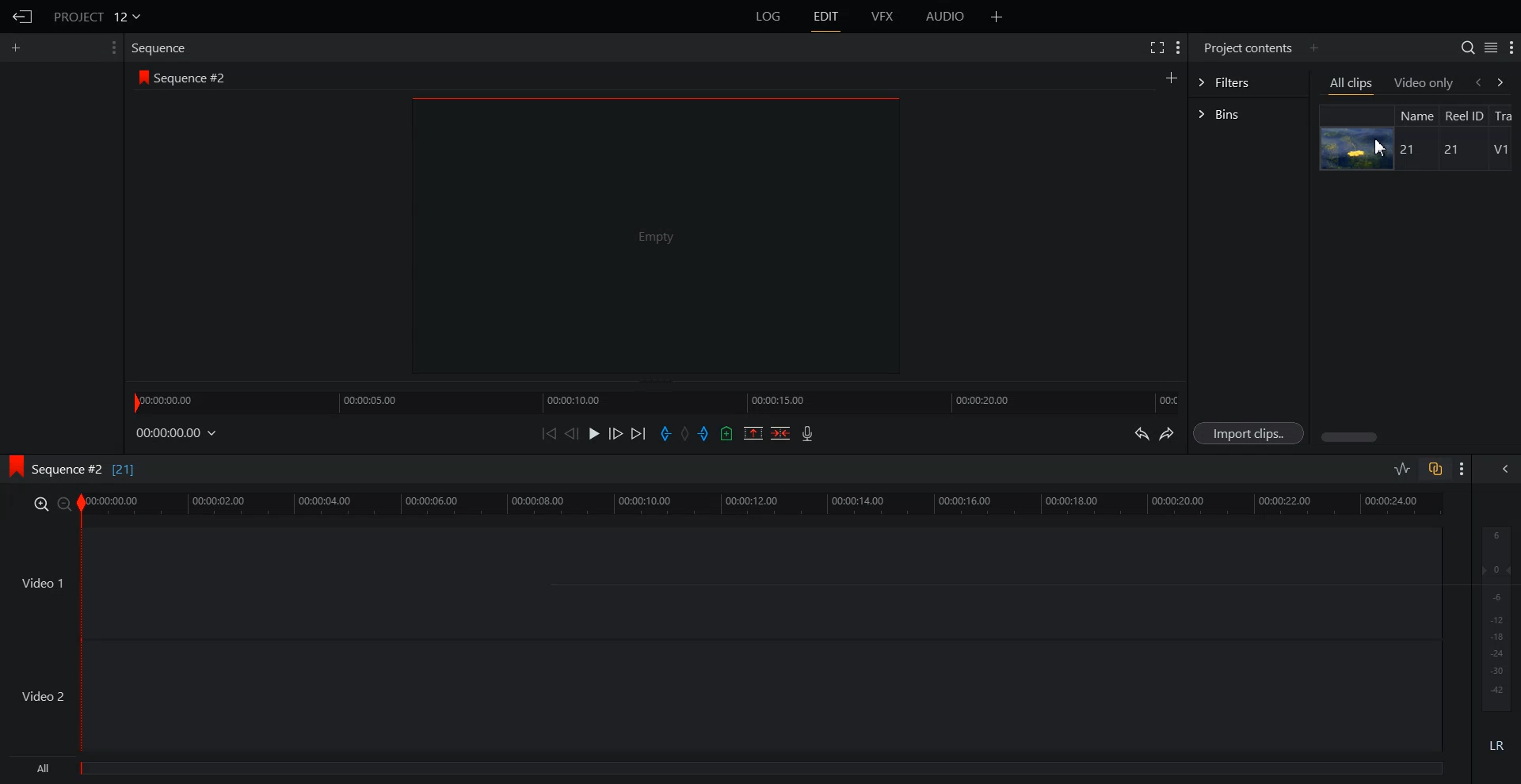 The width and height of the screenshot is (1521, 784). Describe the element at coordinates (572, 433) in the screenshot. I see `Nudge one frame back` at that location.